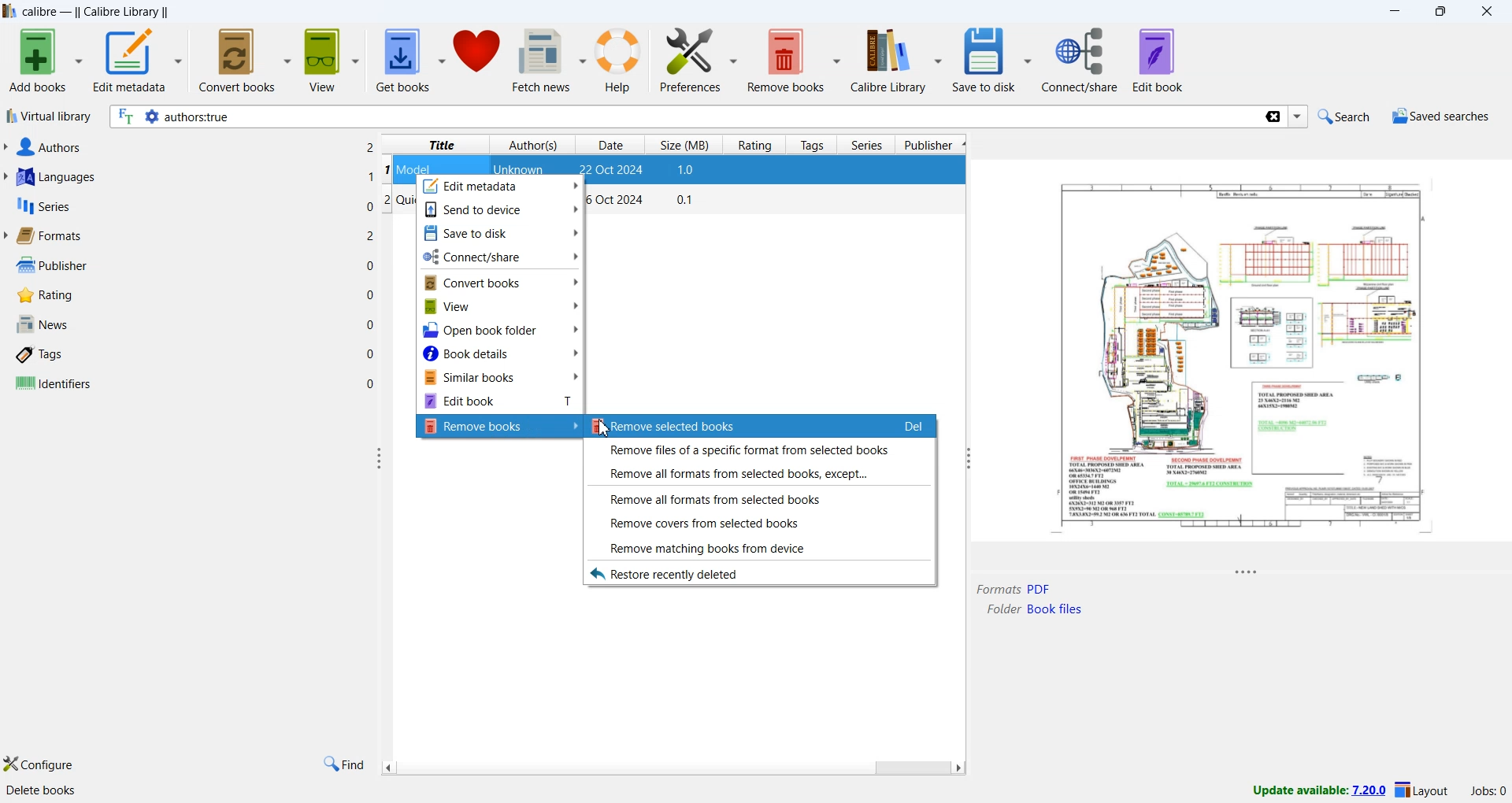  I want to click on , so click(370, 146).